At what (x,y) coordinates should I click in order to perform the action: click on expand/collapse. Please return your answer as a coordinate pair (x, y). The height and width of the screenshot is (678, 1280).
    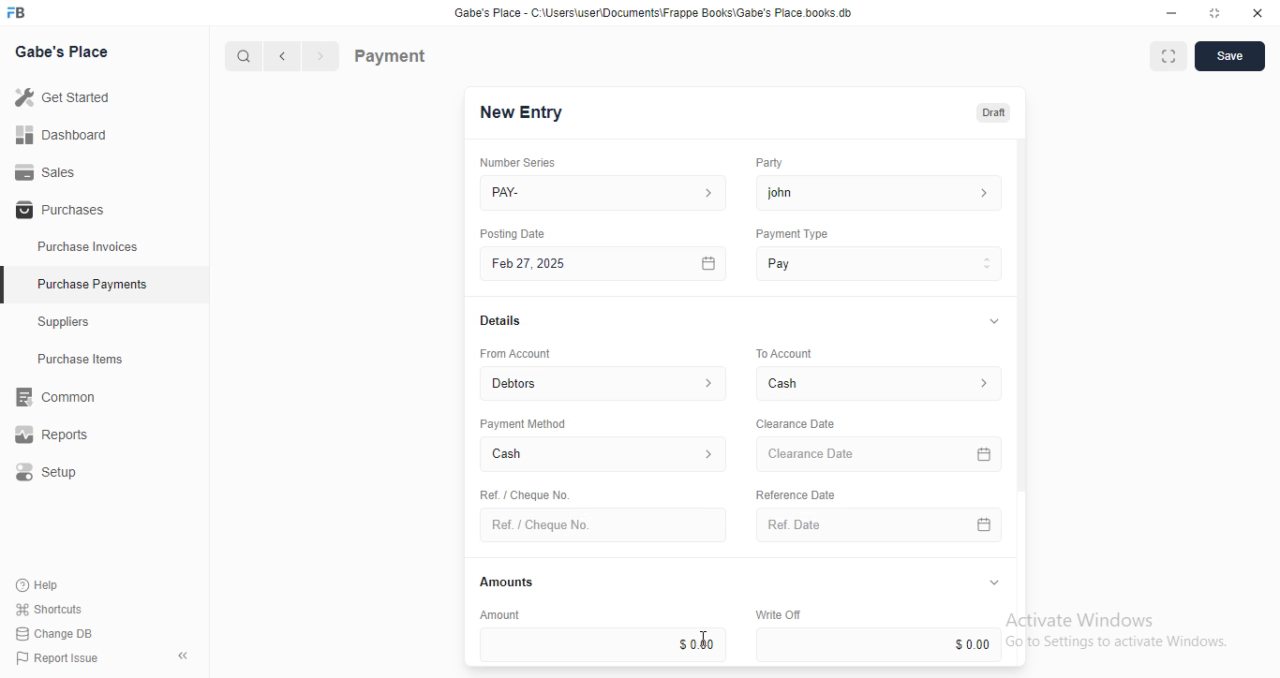
    Looking at the image, I should click on (993, 583).